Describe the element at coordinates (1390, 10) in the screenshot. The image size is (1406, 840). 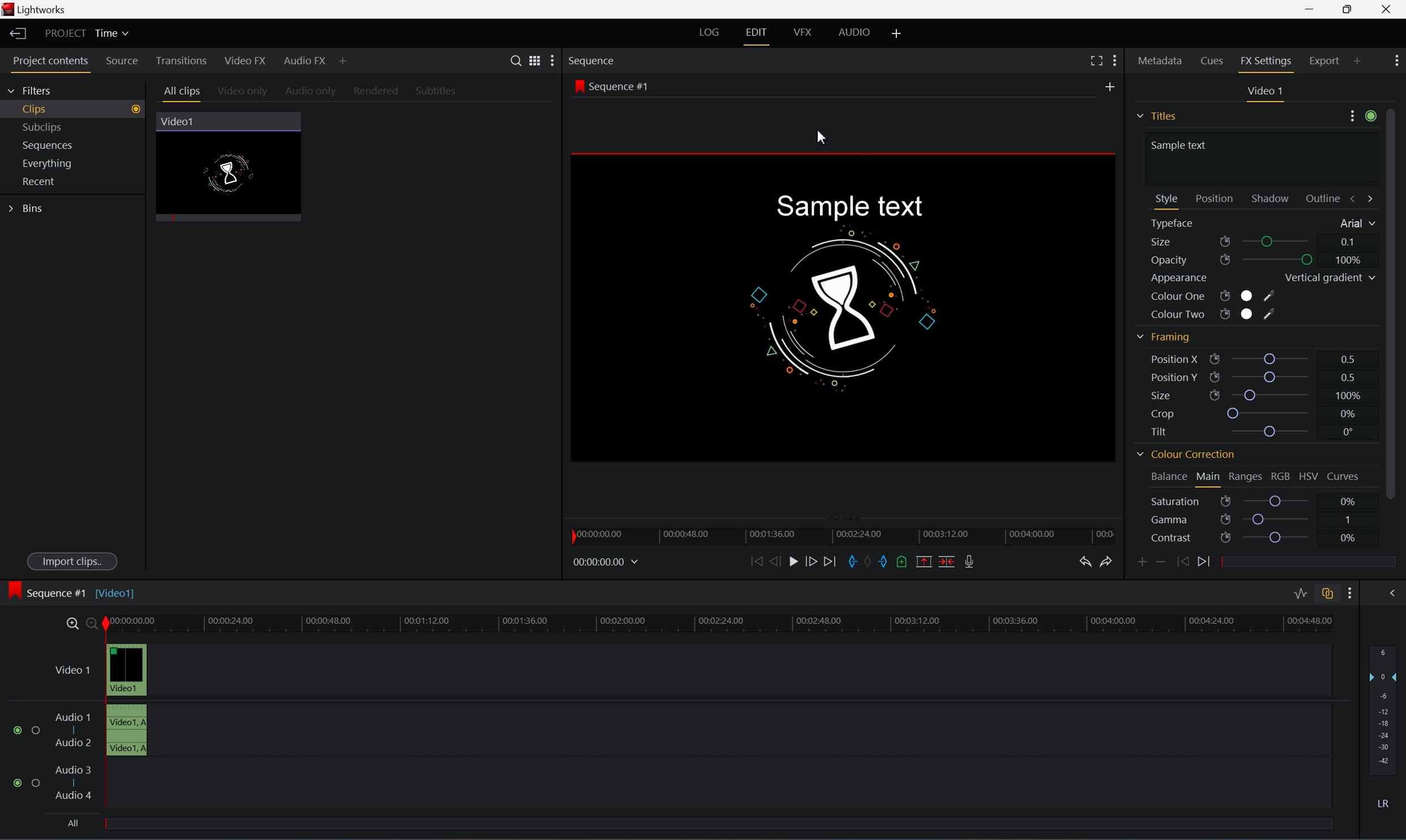
I see `close` at that location.